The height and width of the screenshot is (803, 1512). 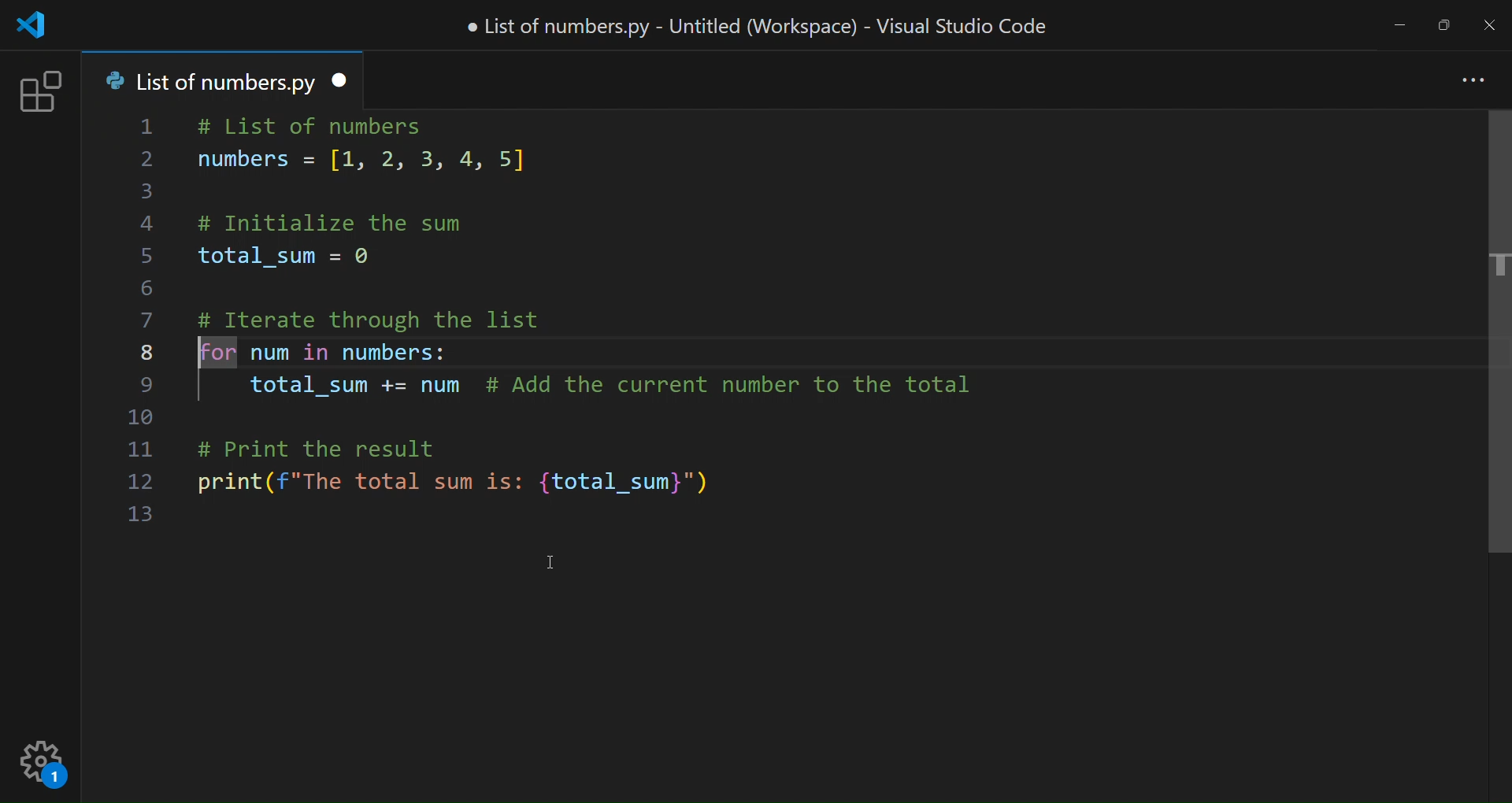 I want to click on minimize, so click(x=1401, y=24).